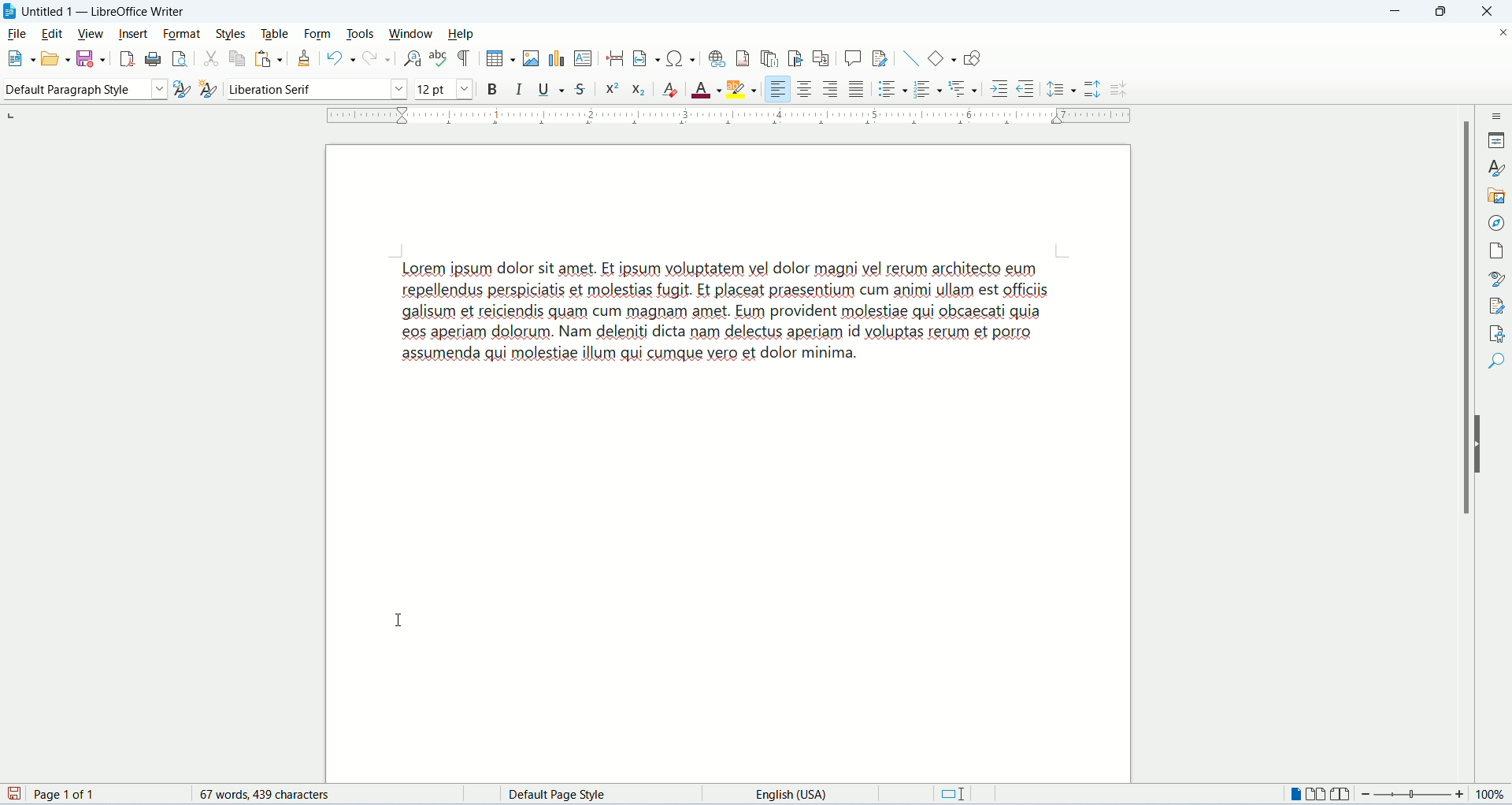 Image resolution: width=1512 pixels, height=805 pixels. What do you see at coordinates (739, 89) in the screenshot?
I see `highlighting color` at bounding box center [739, 89].